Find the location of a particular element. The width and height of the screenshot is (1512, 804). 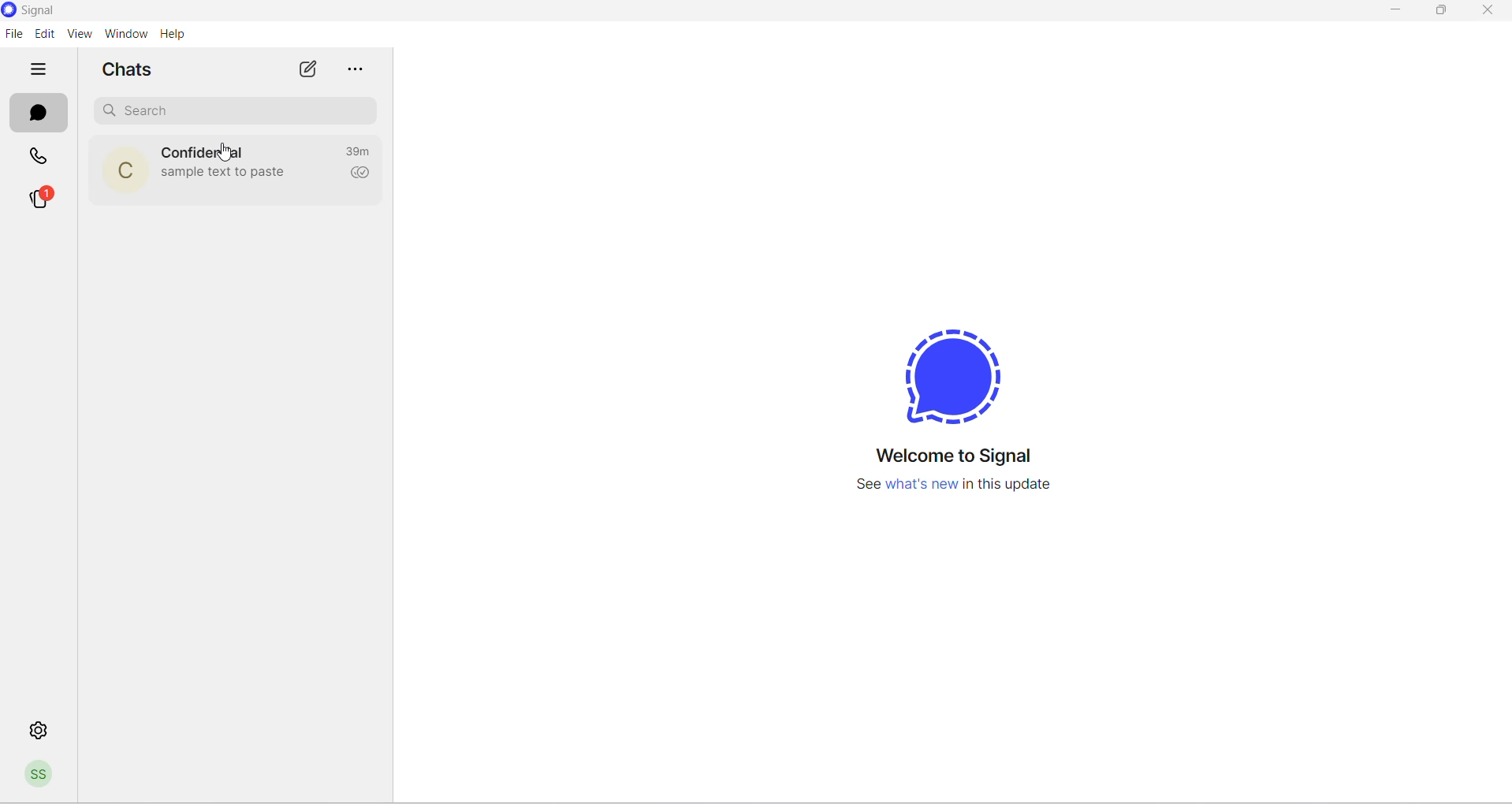

maximize is located at coordinates (1439, 15).